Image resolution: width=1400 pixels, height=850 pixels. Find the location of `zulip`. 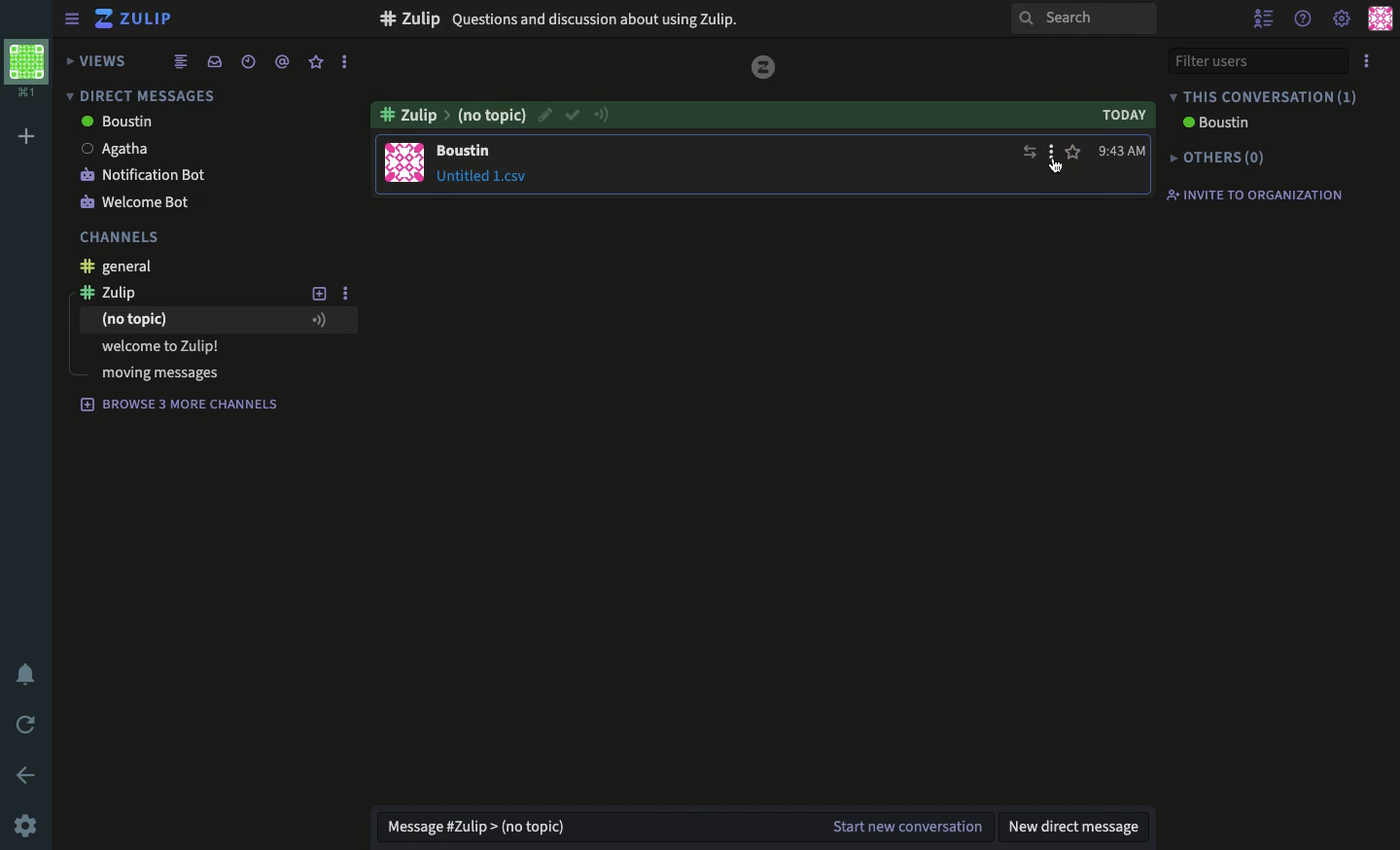

zulip is located at coordinates (765, 64).